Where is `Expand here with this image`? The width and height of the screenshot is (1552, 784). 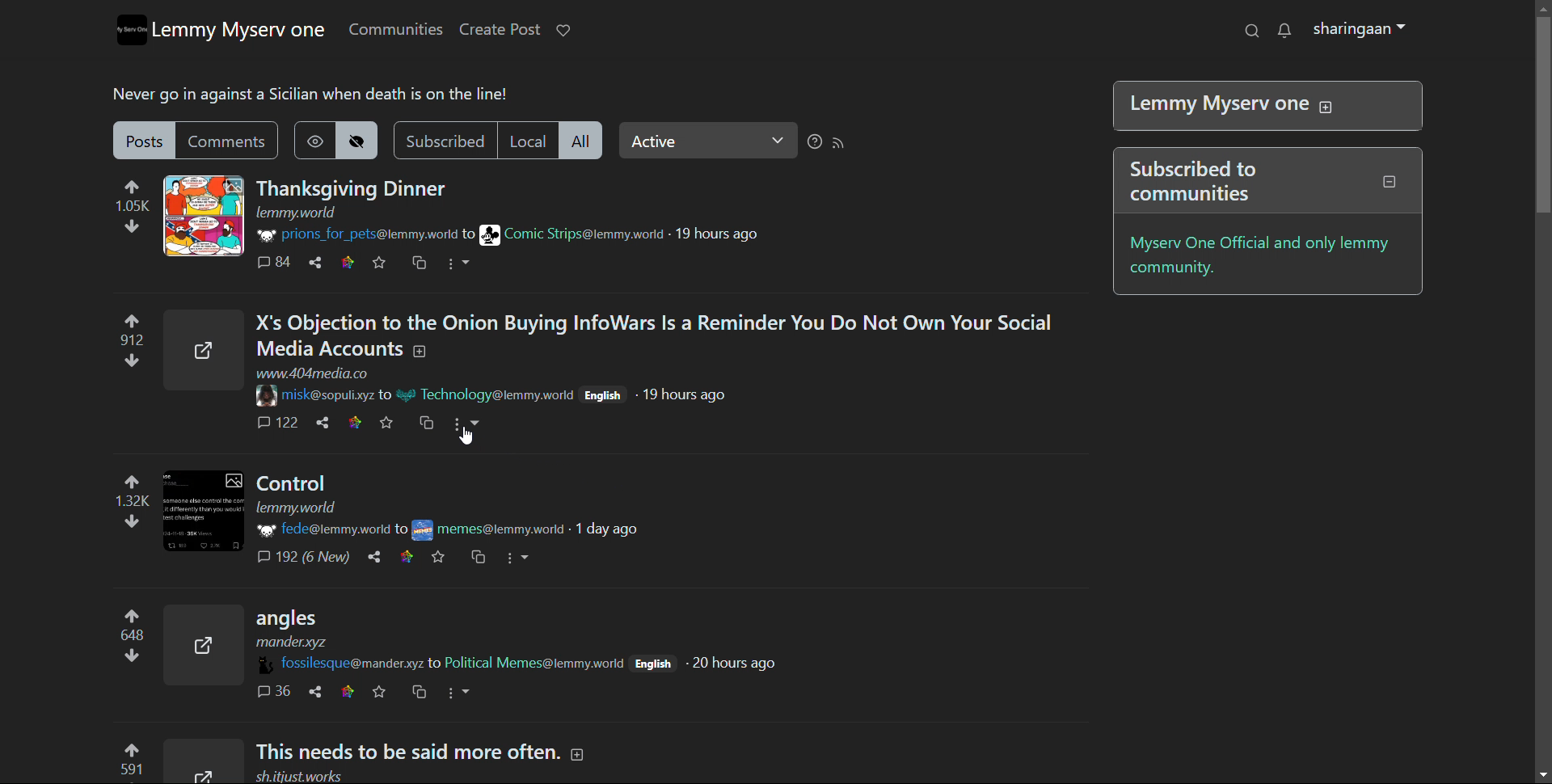
Expand here with this image is located at coordinates (196, 762).